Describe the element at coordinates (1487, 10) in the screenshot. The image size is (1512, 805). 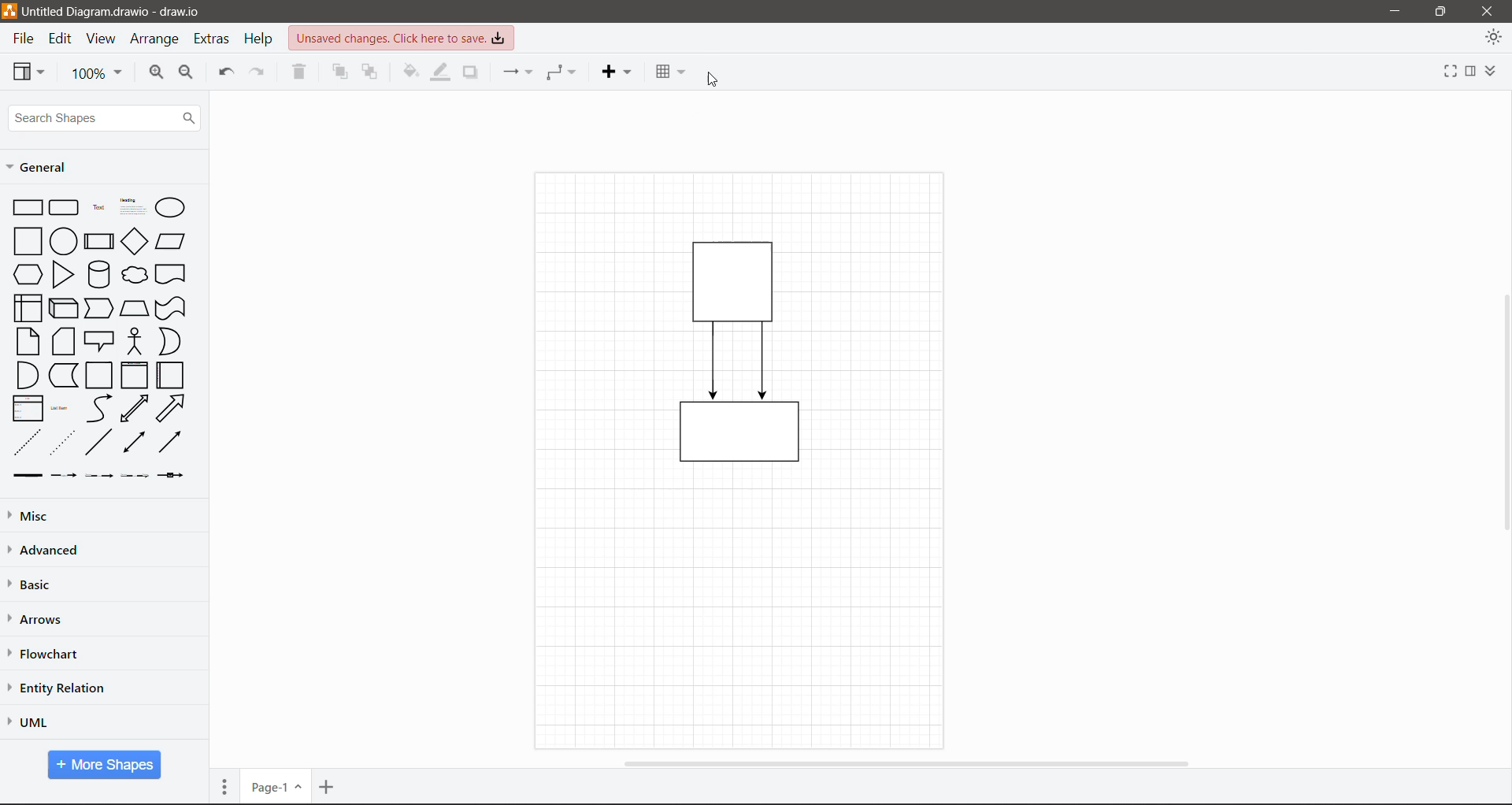
I see `close` at that location.